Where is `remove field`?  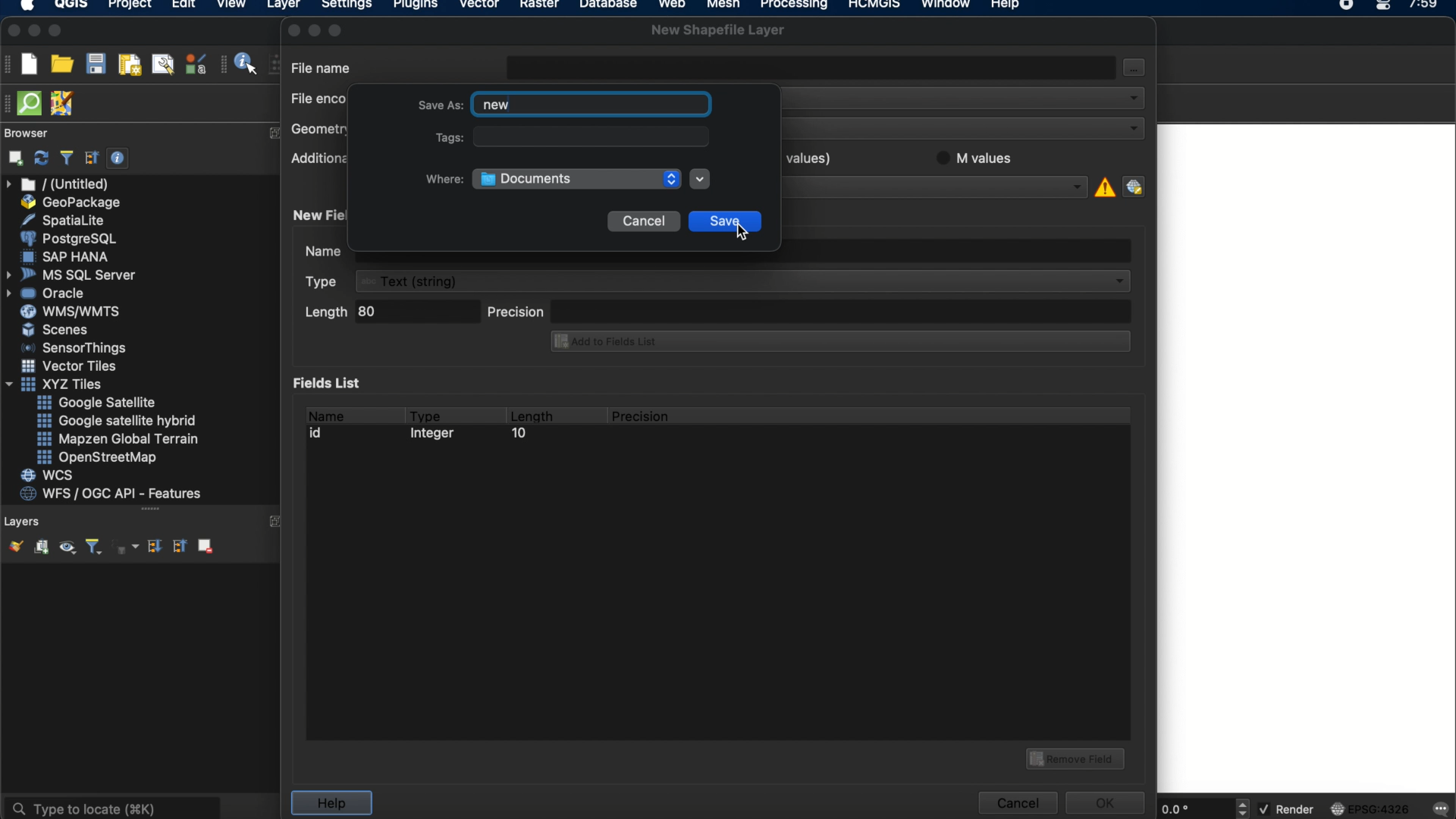 remove field is located at coordinates (1078, 757).